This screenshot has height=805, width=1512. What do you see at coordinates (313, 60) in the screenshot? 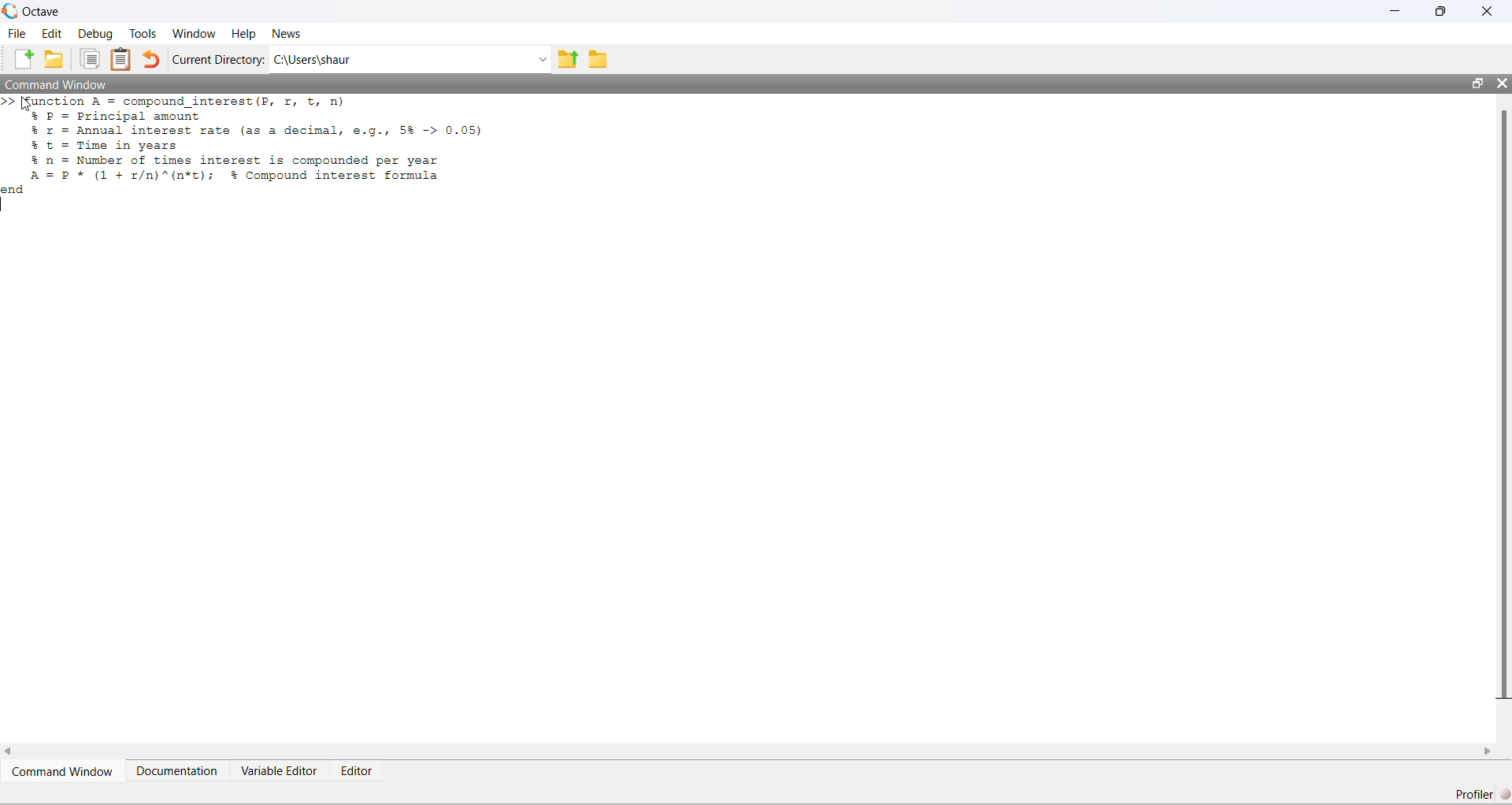
I see `C:\Users\shaur` at bounding box center [313, 60].